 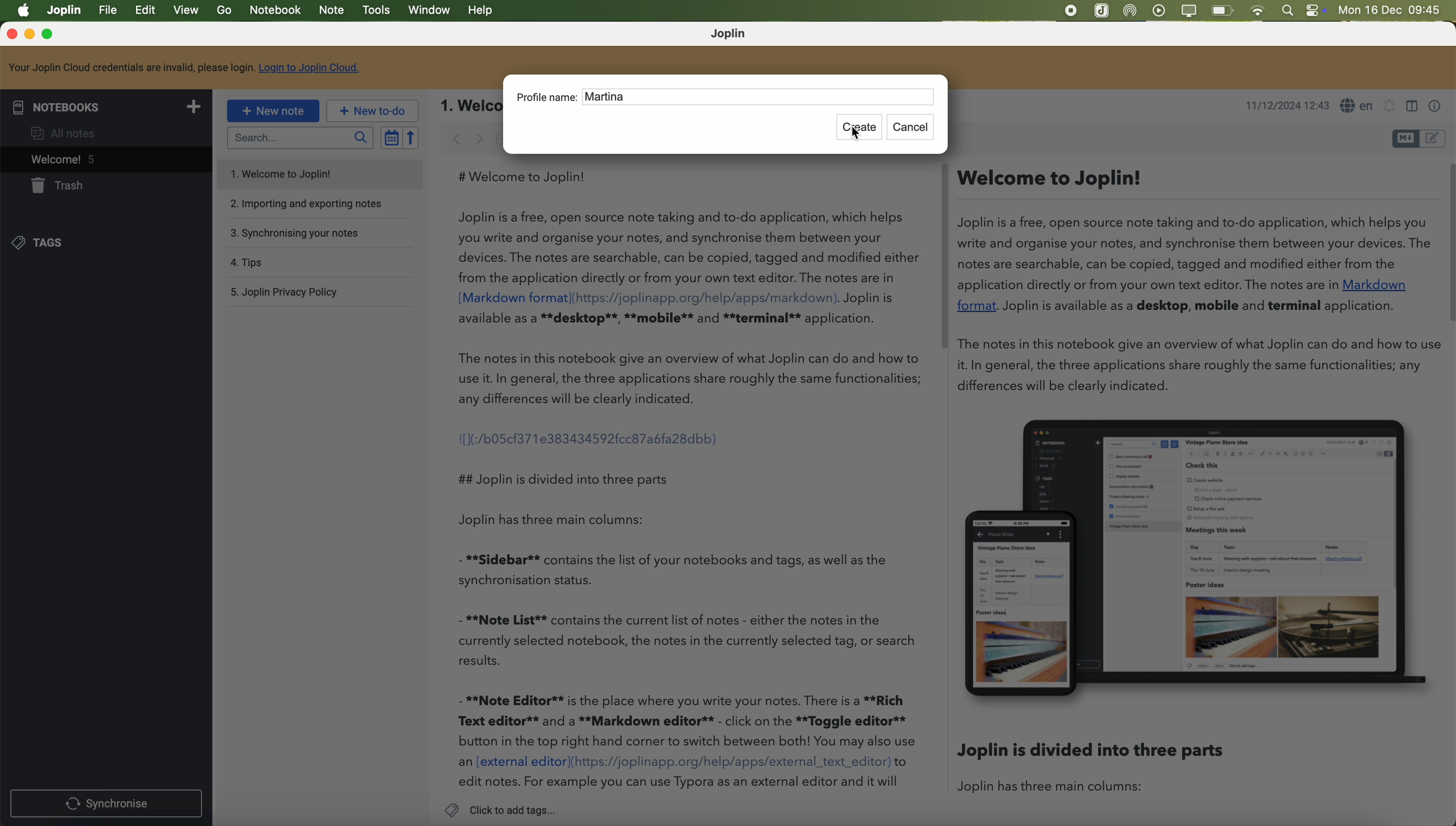 I want to click on Joplin, so click(x=731, y=34).